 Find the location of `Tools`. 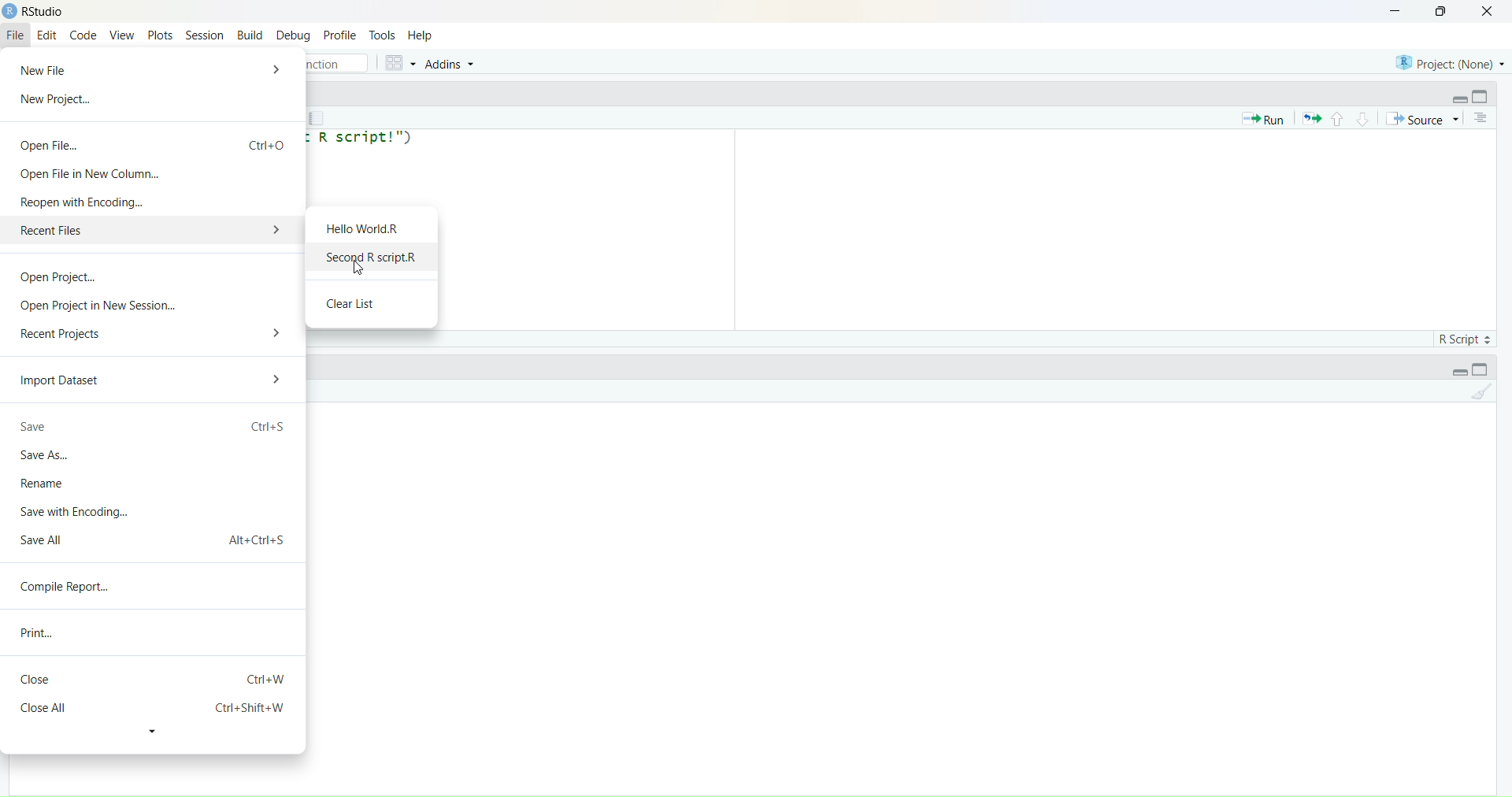

Tools is located at coordinates (384, 35).